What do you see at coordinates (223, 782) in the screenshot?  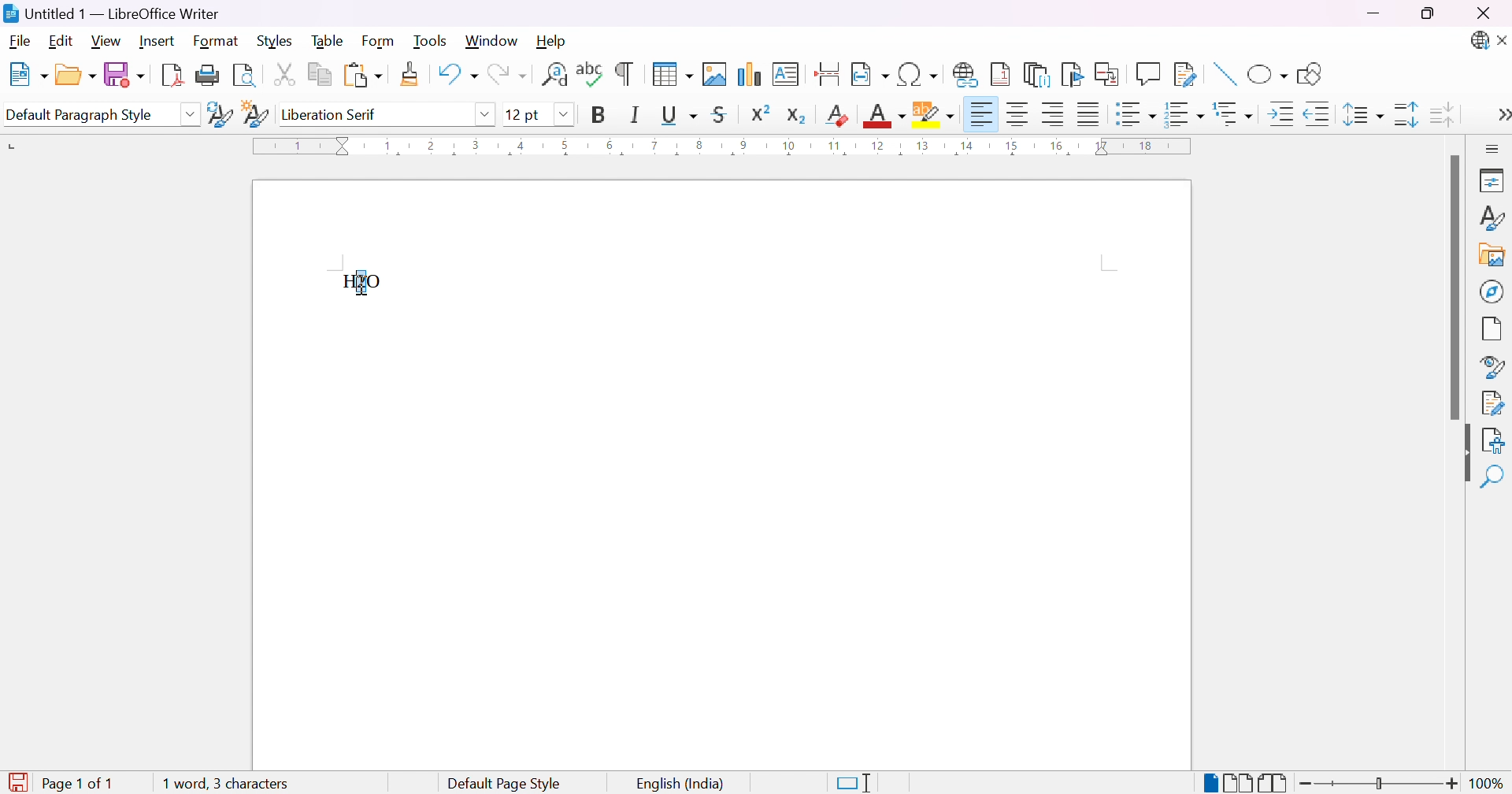 I see `1 word, 3 characters` at bounding box center [223, 782].